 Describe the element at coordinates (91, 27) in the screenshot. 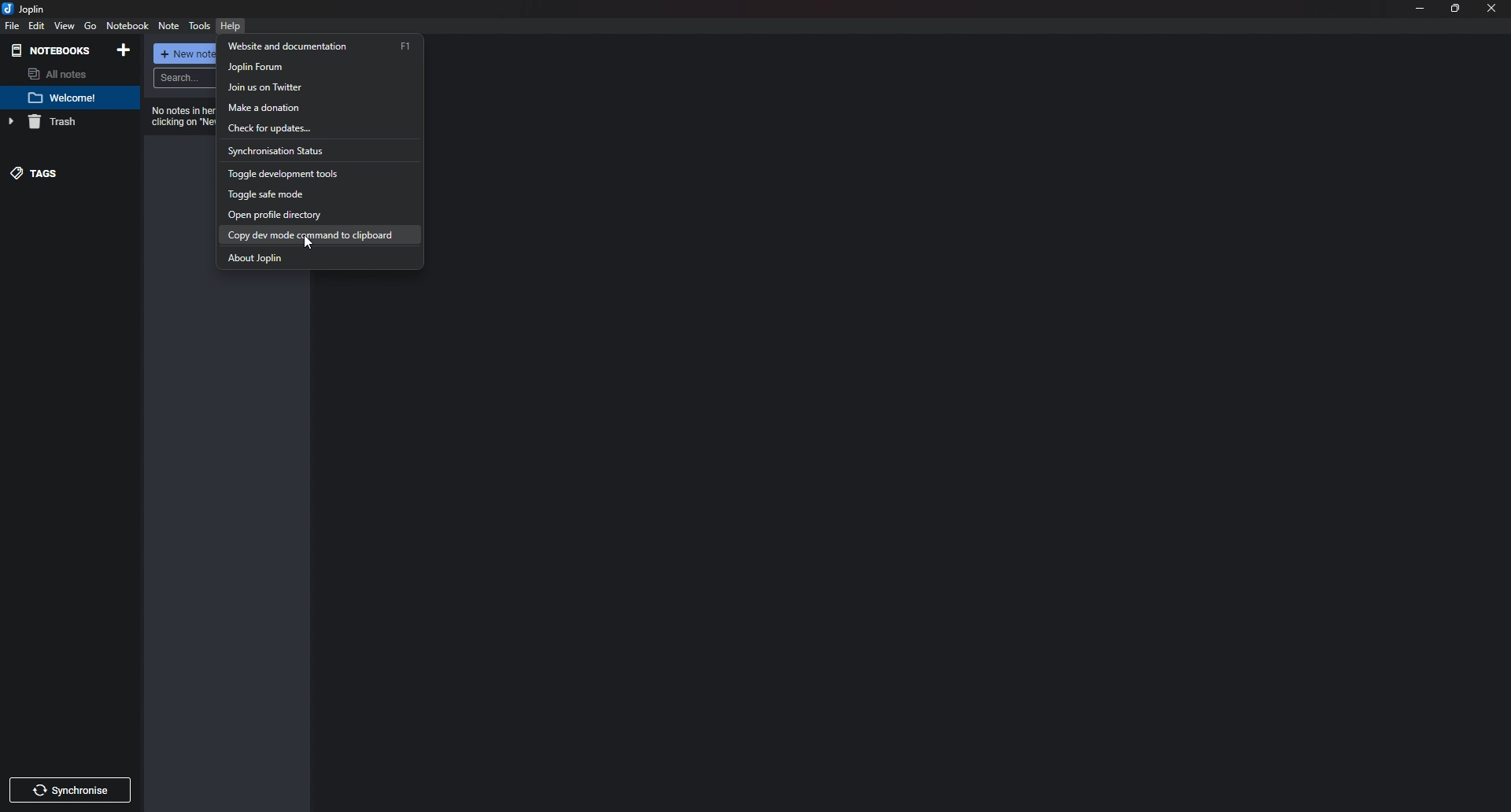

I see `go` at that location.